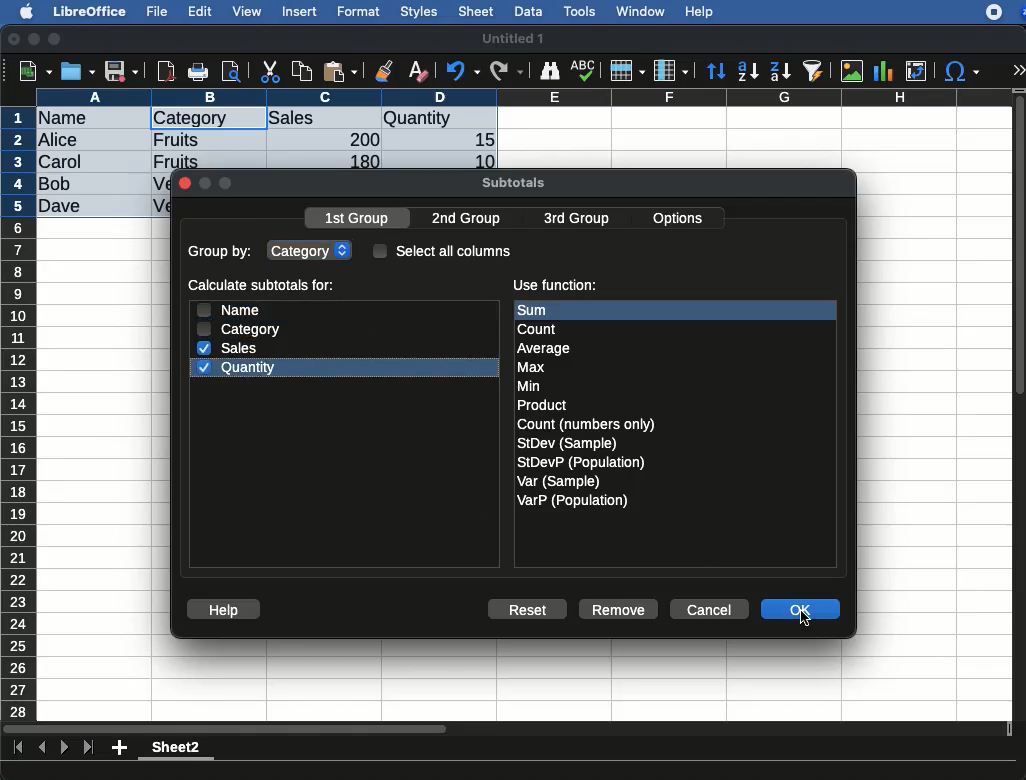  What do you see at coordinates (549, 71) in the screenshot?
I see `finder` at bounding box center [549, 71].